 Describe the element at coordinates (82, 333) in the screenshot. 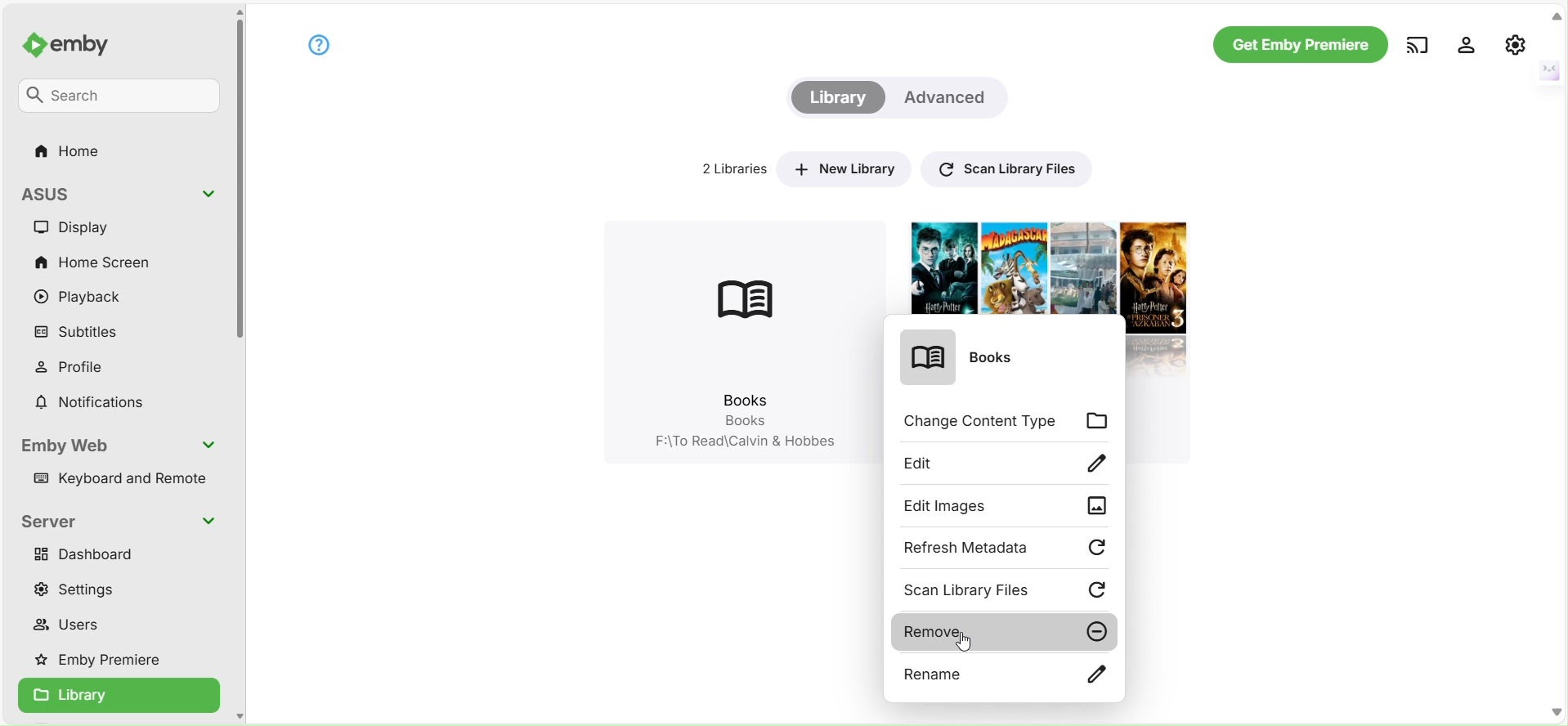

I see `Subtitles` at that location.